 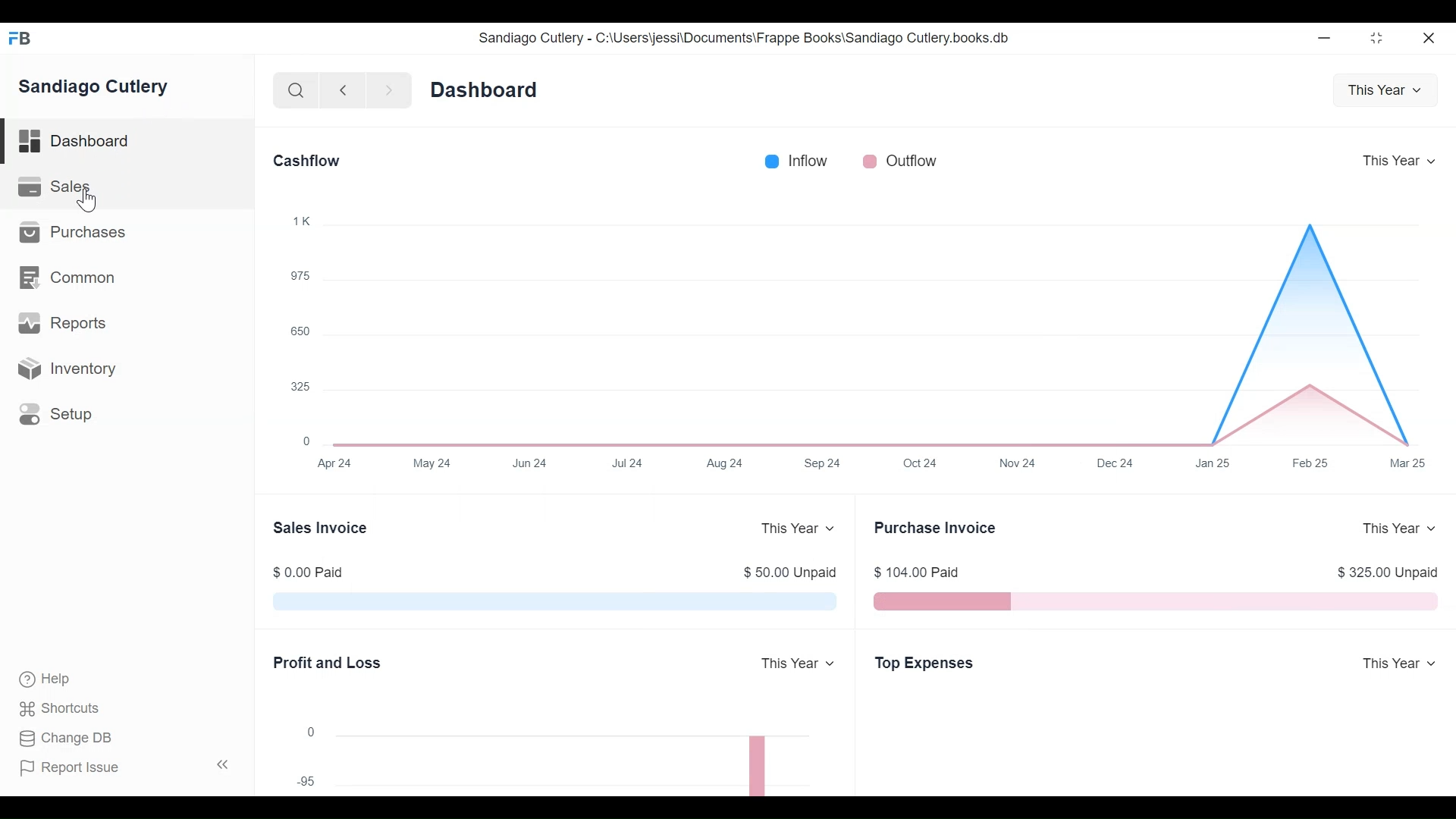 I want to click on minimize, so click(x=1324, y=37).